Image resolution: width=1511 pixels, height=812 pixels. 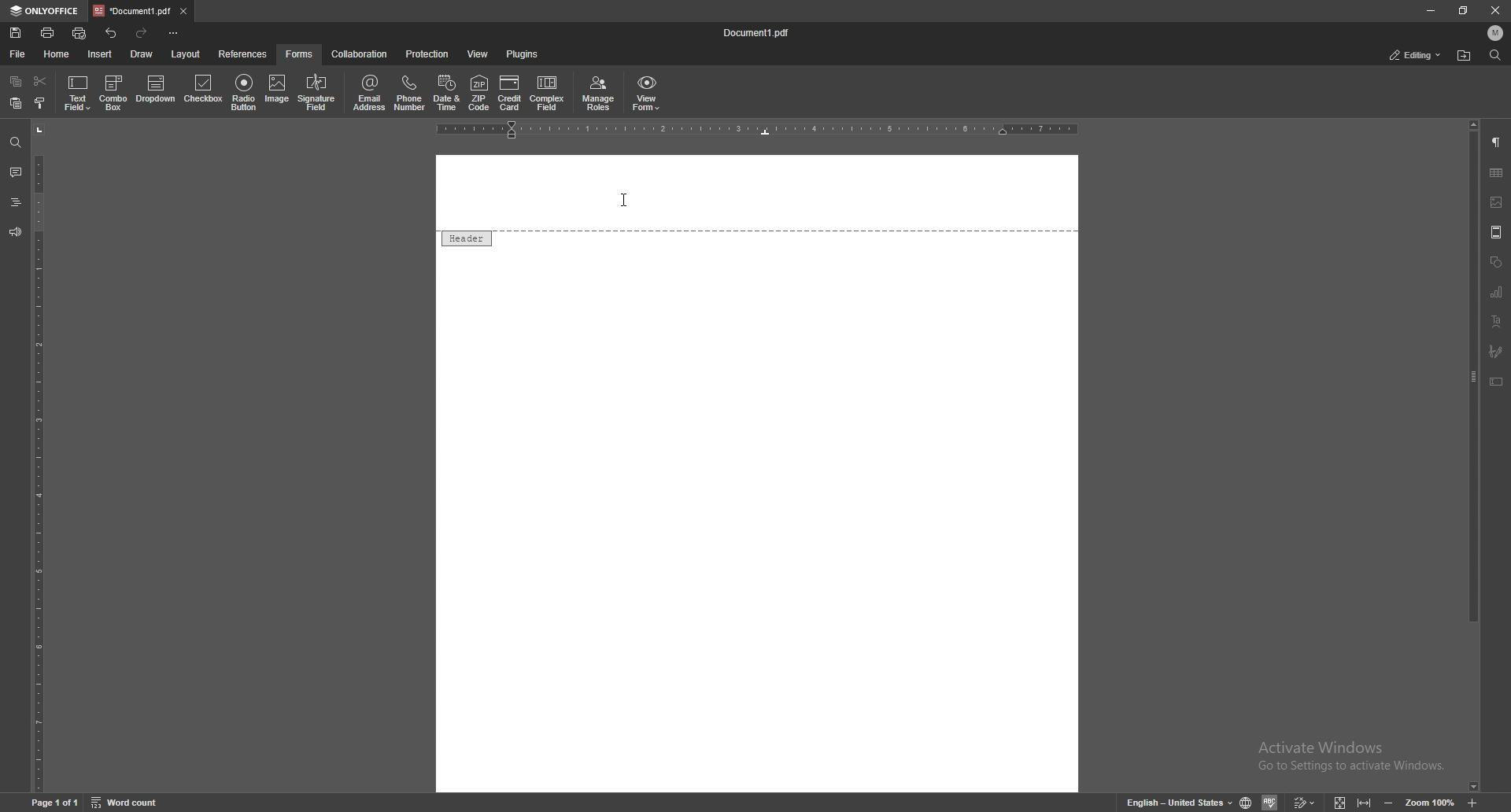 I want to click on collaboration, so click(x=360, y=54).